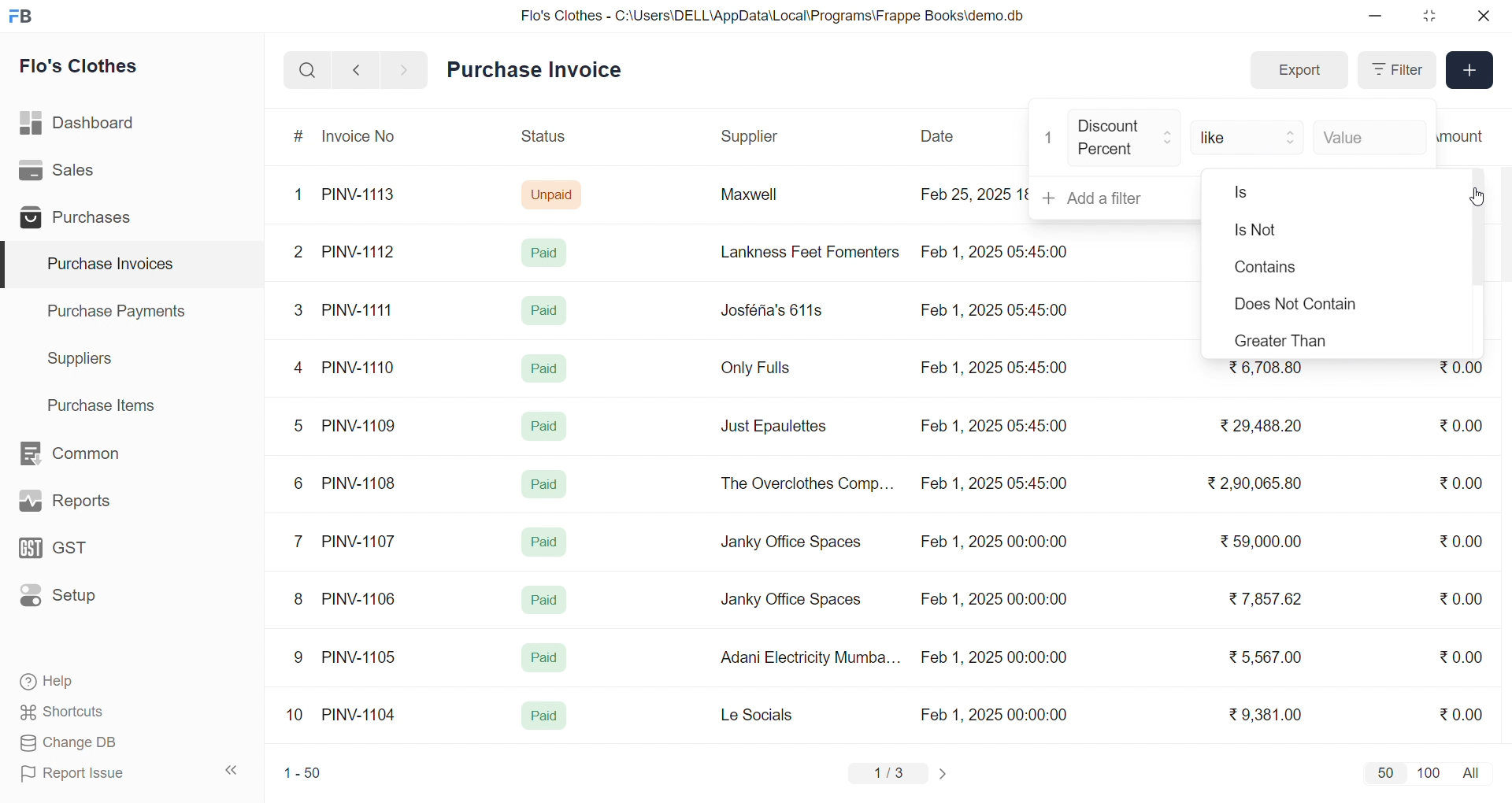 The height and width of the screenshot is (803, 1512). What do you see at coordinates (972, 194) in the screenshot?
I see `Feb 25, 2025 18:16:25` at bounding box center [972, 194].